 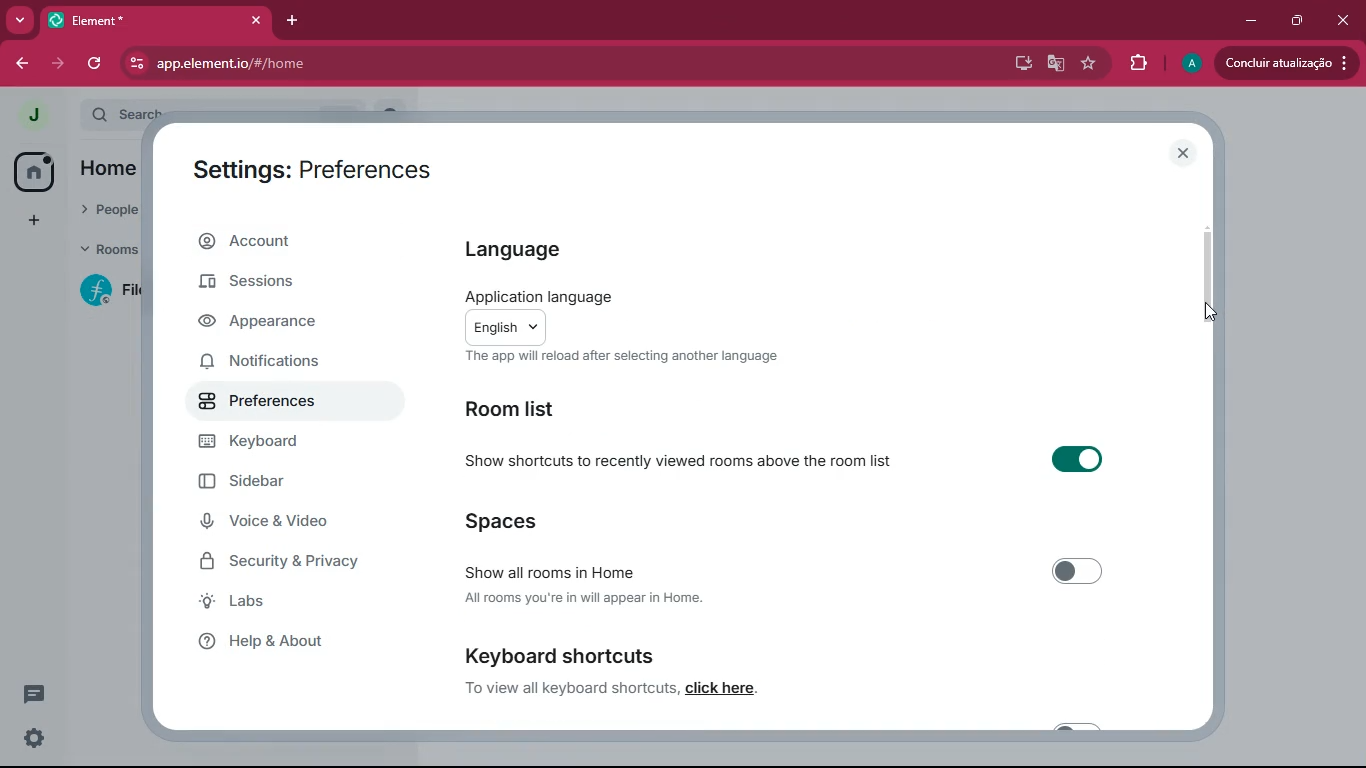 What do you see at coordinates (501, 520) in the screenshot?
I see `spaces` at bounding box center [501, 520].